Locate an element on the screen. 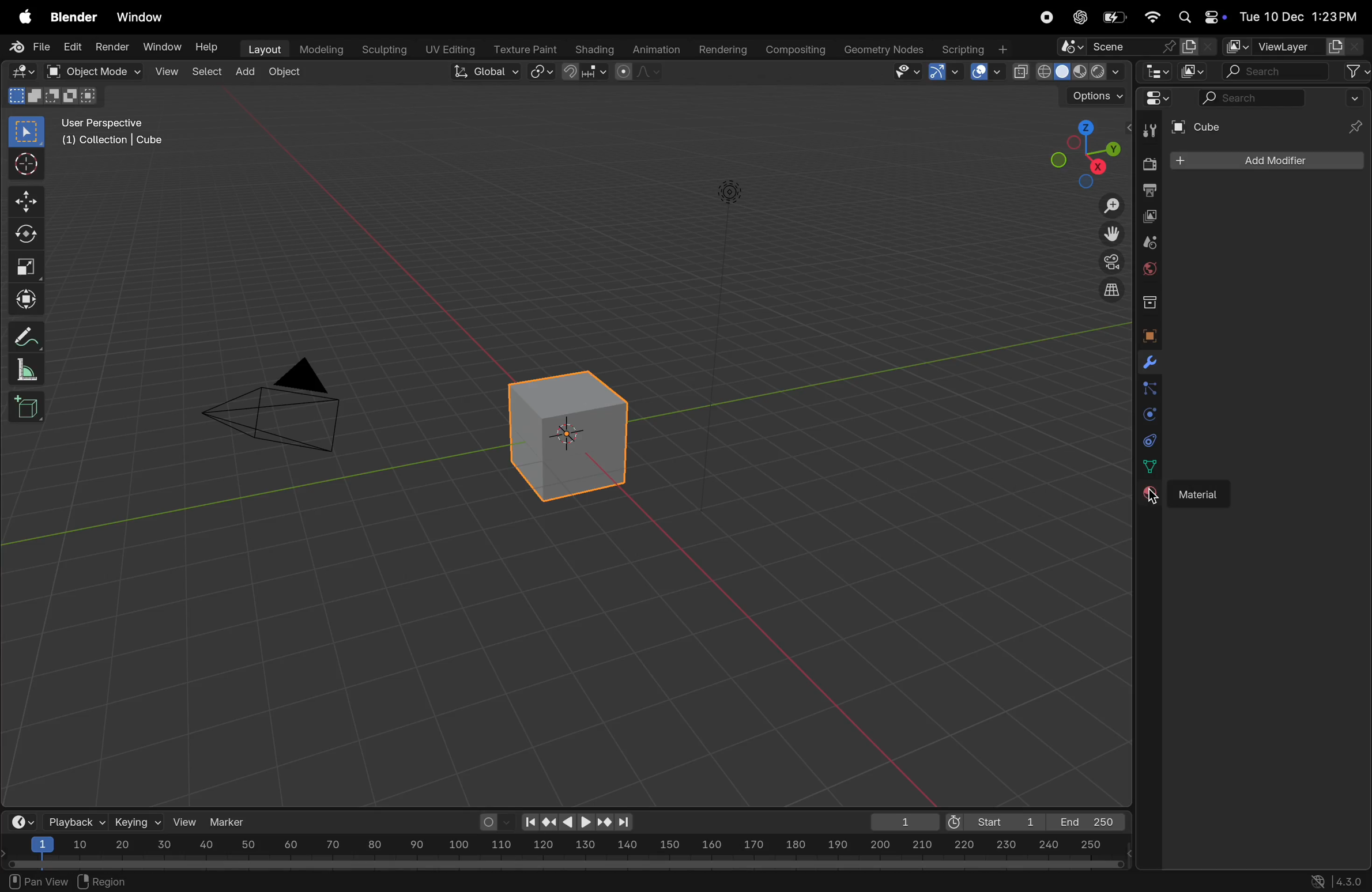 This screenshot has width=1372, height=892. Uv editing is located at coordinates (446, 47).